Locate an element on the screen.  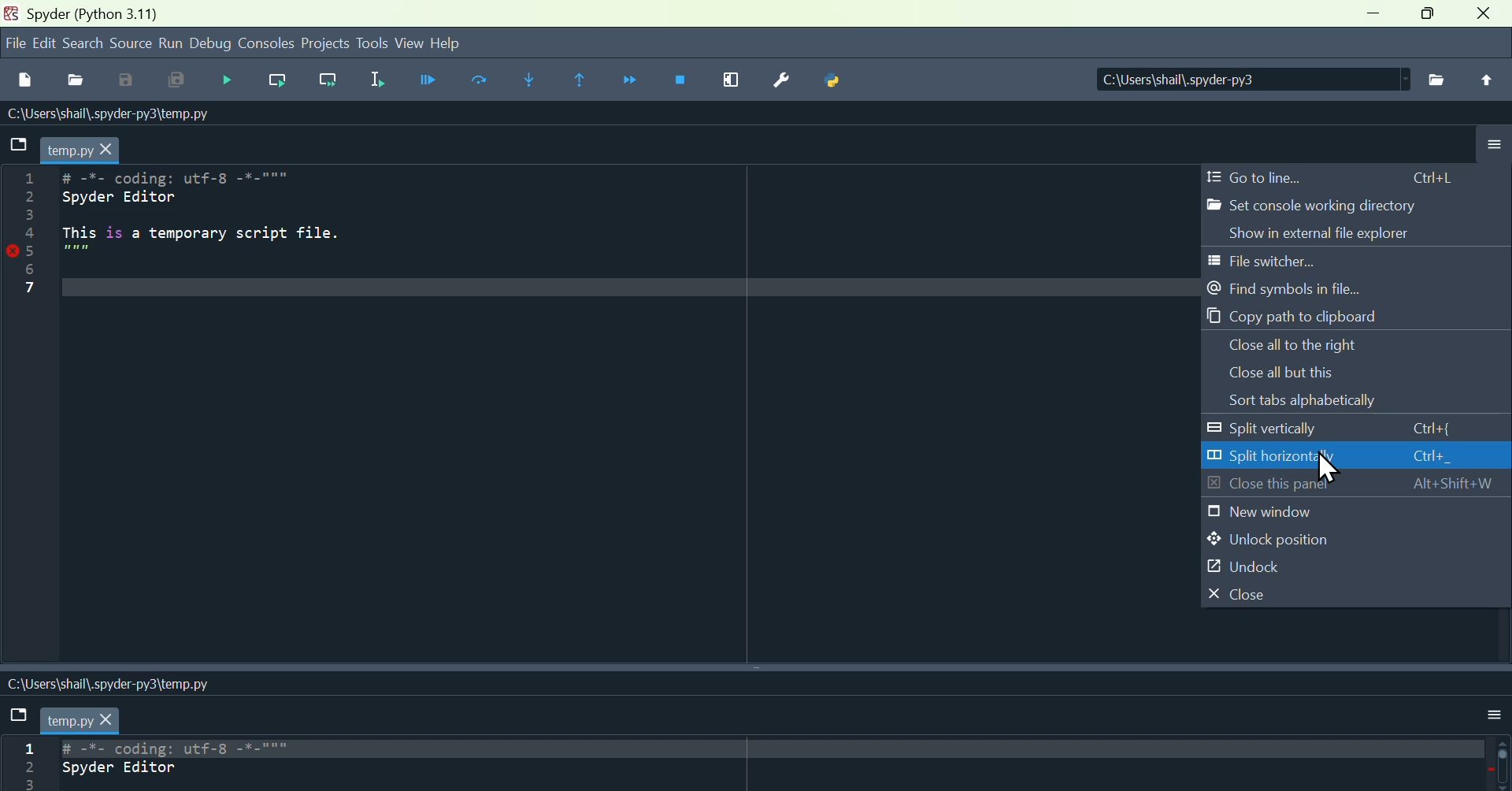
File is located at coordinates (24, 715).